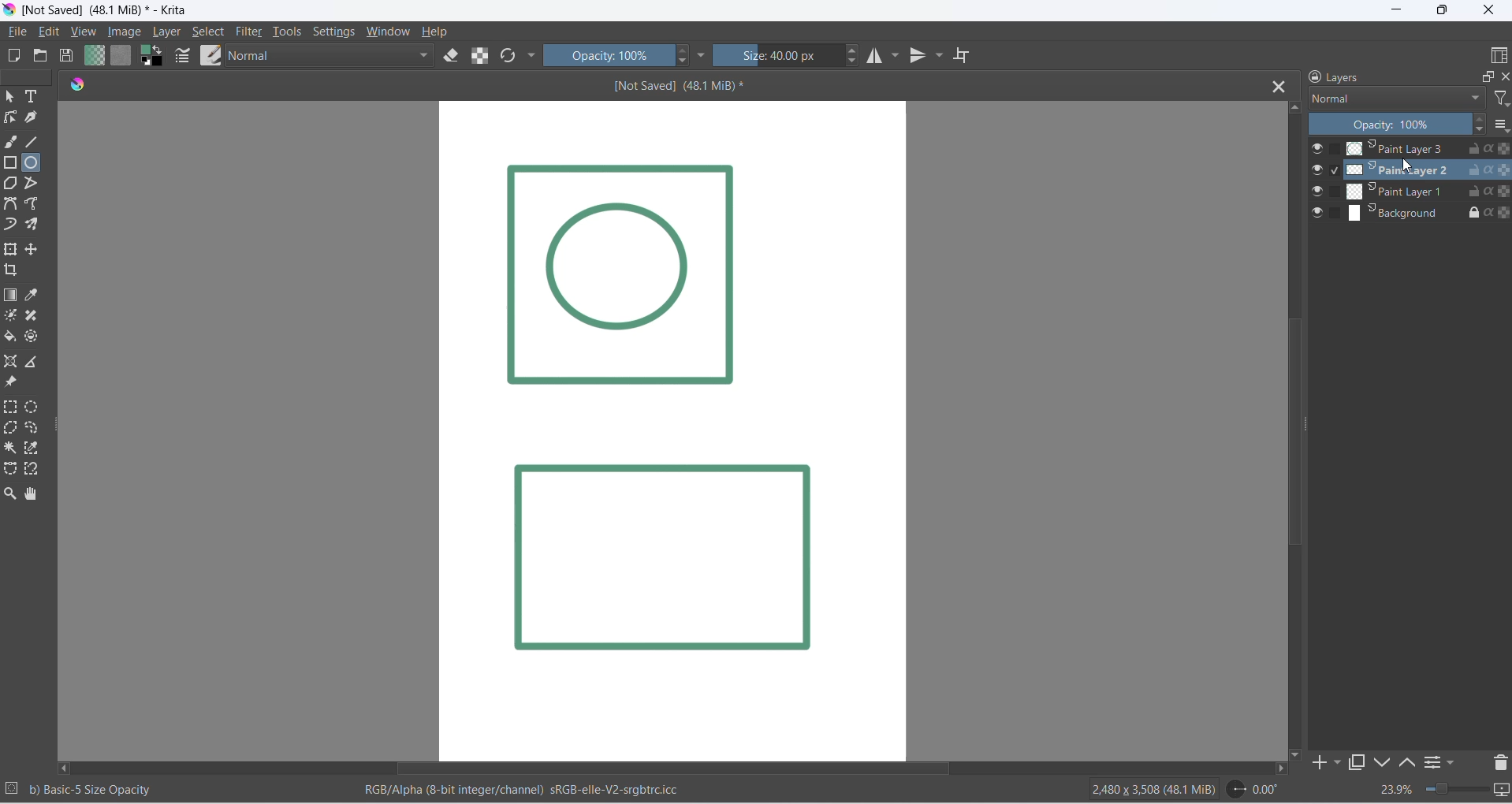  I want to click on display type, so click(1496, 54).